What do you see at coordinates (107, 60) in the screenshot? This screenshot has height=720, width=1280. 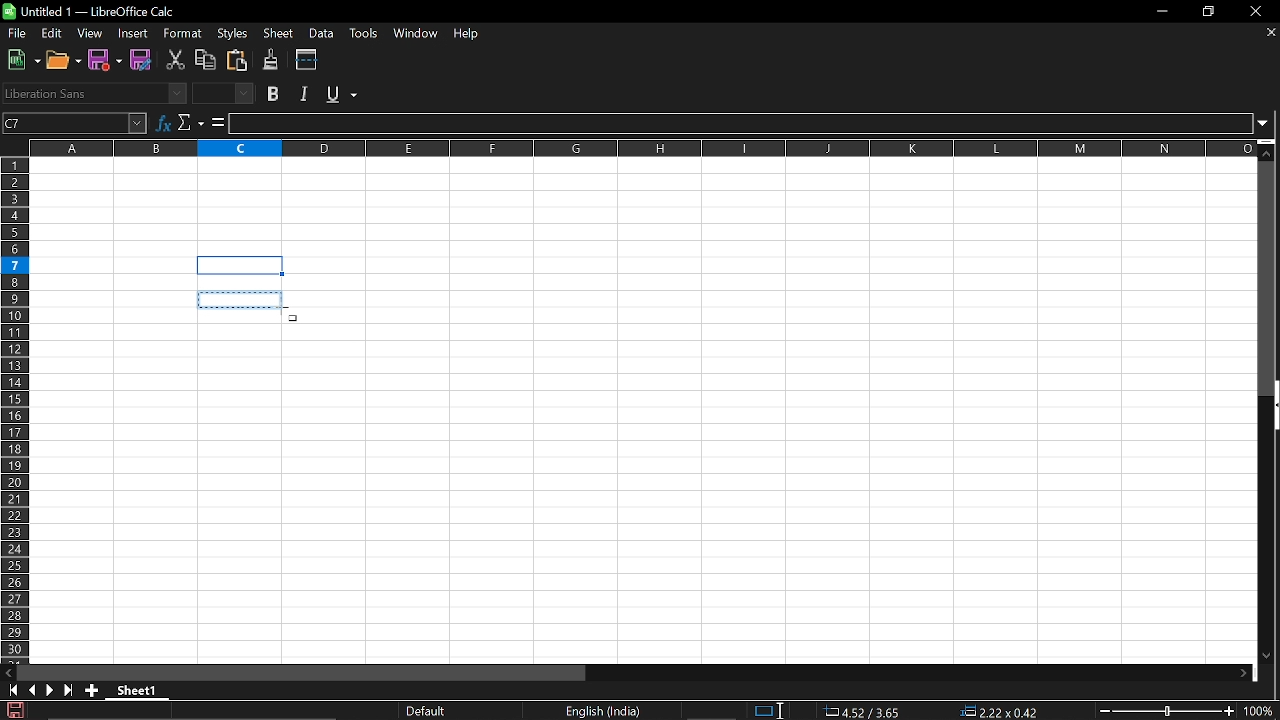 I see `Save` at bounding box center [107, 60].